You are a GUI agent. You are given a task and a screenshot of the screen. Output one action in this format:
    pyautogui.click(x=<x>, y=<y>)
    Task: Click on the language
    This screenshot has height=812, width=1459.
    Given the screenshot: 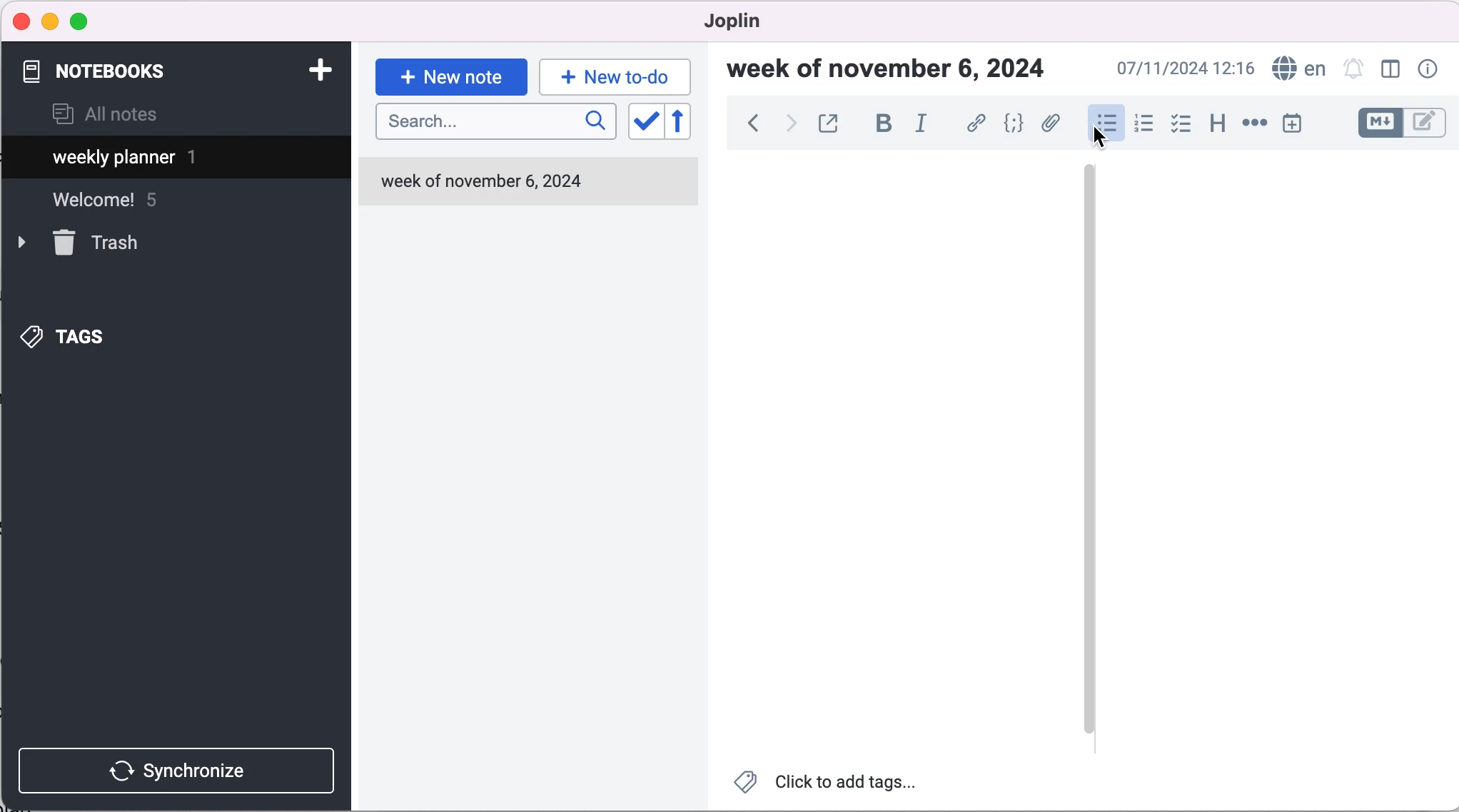 What is the action you would take?
    pyautogui.click(x=1296, y=69)
    